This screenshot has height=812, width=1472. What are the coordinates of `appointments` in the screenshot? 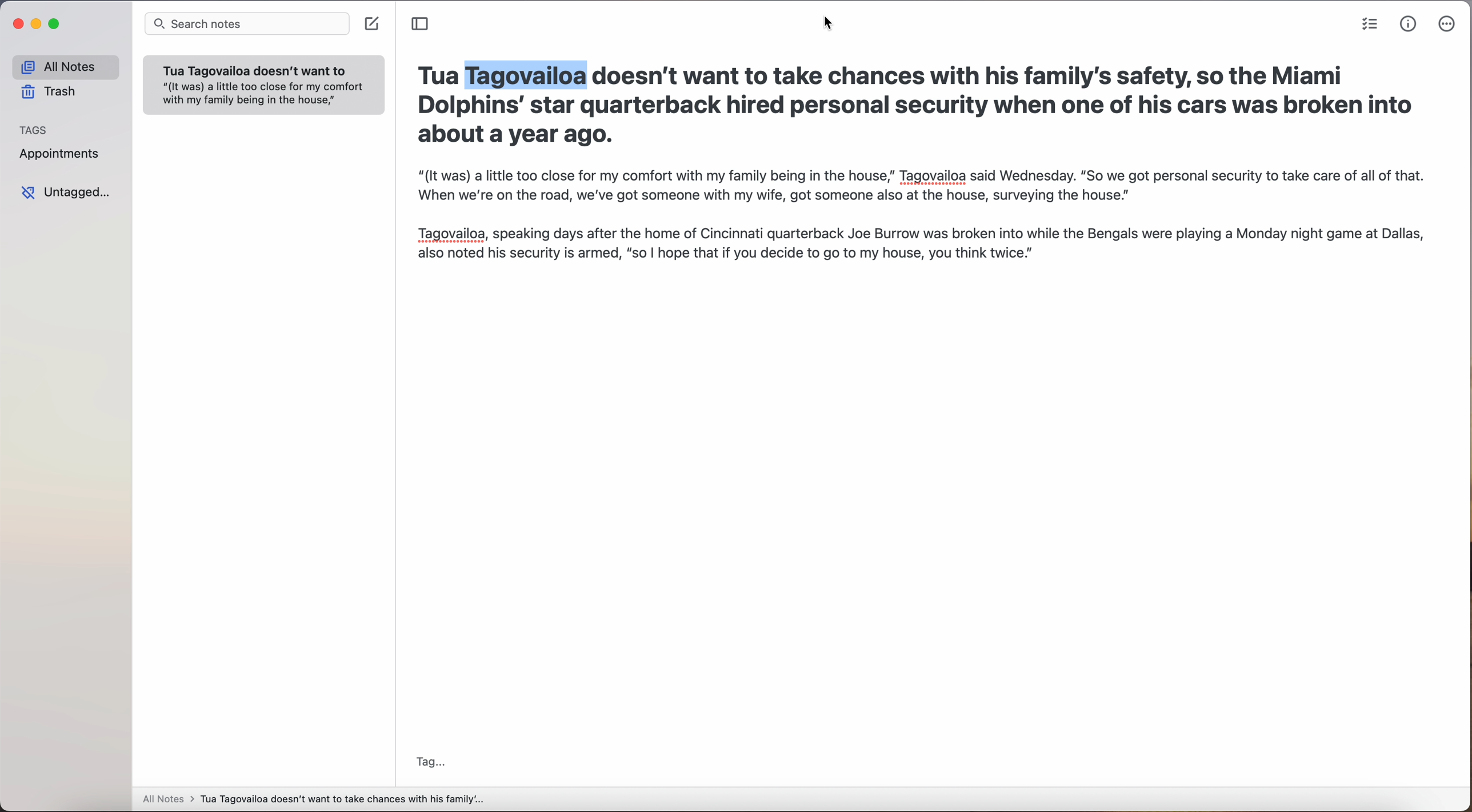 It's located at (63, 156).